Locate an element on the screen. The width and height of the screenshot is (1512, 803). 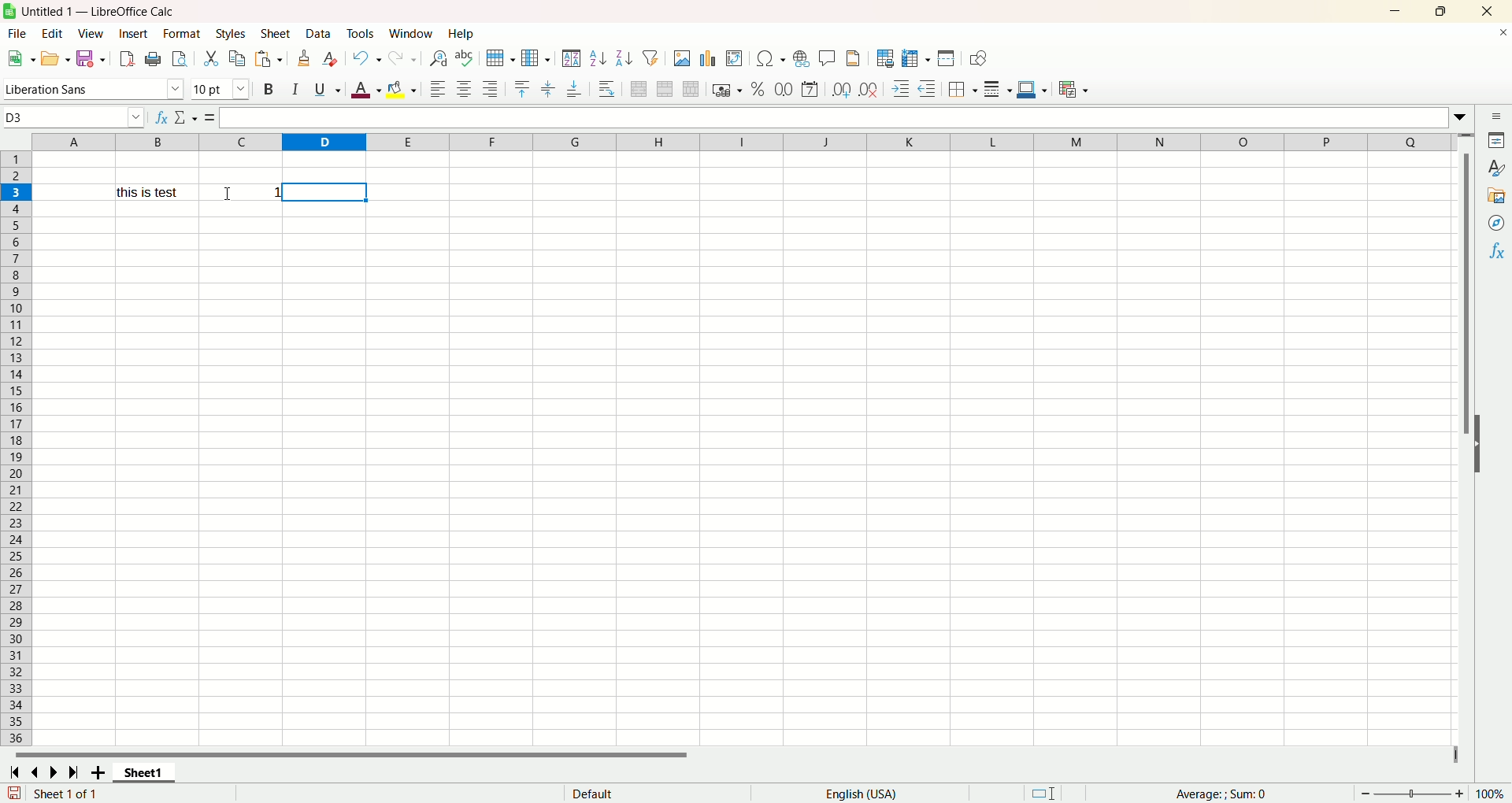
function wizard is located at coordinates (161, 117).